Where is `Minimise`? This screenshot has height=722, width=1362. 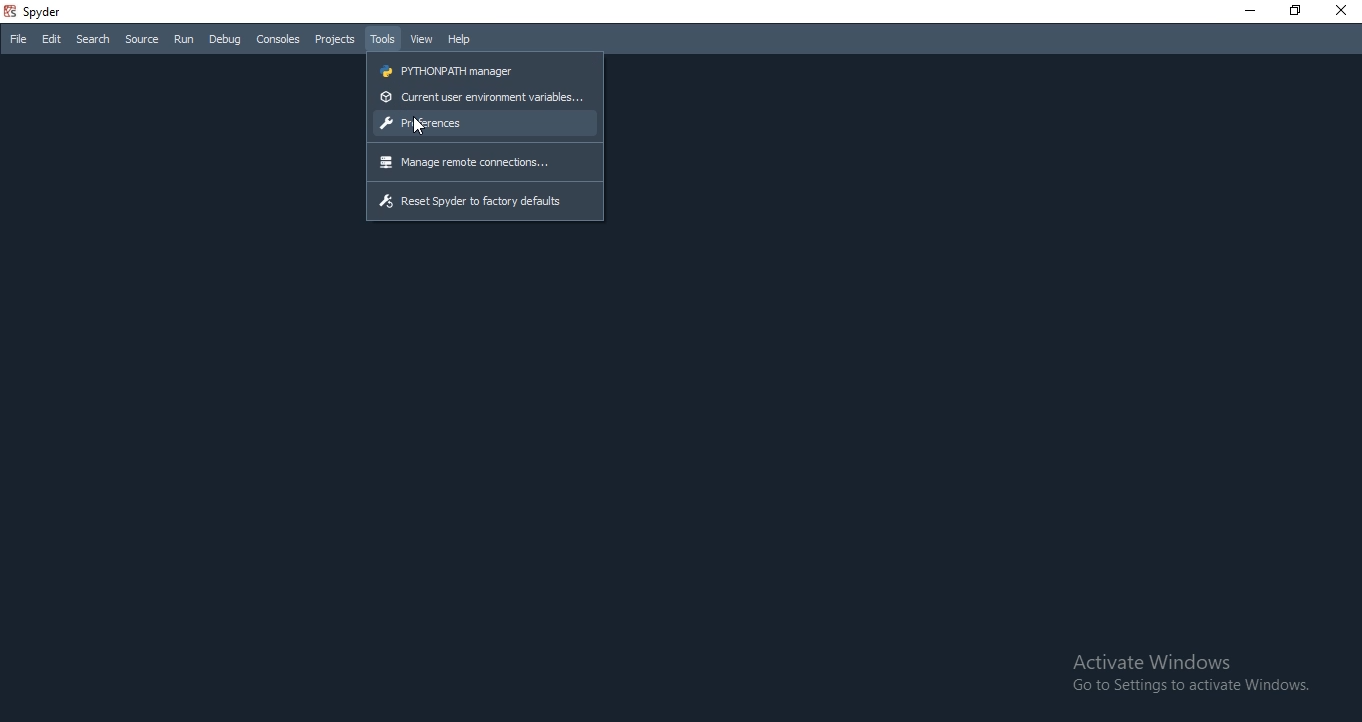
Minimise is located at coordinates (1247, 8).